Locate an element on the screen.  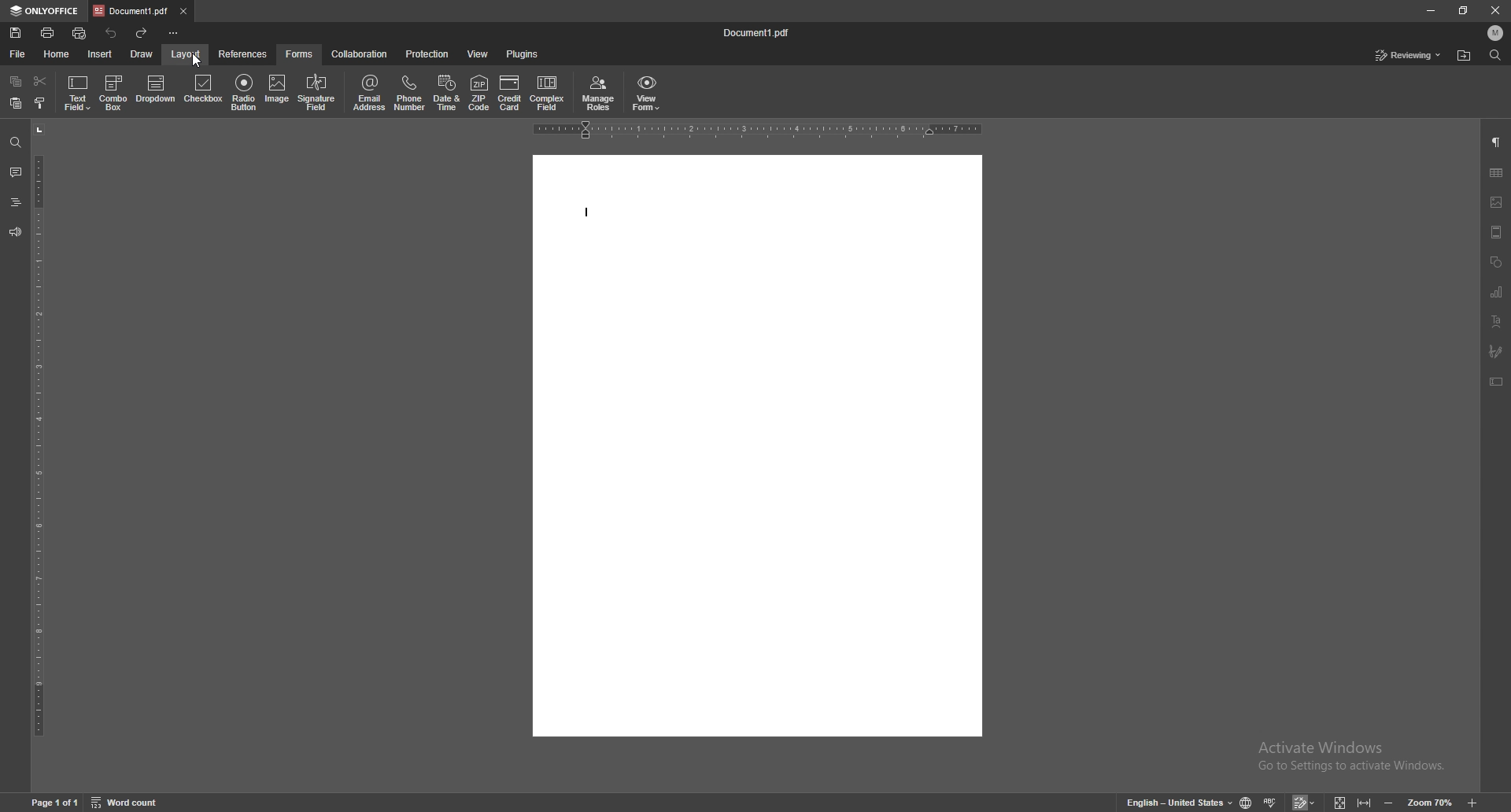
image is located at coordinates (1496, 202).